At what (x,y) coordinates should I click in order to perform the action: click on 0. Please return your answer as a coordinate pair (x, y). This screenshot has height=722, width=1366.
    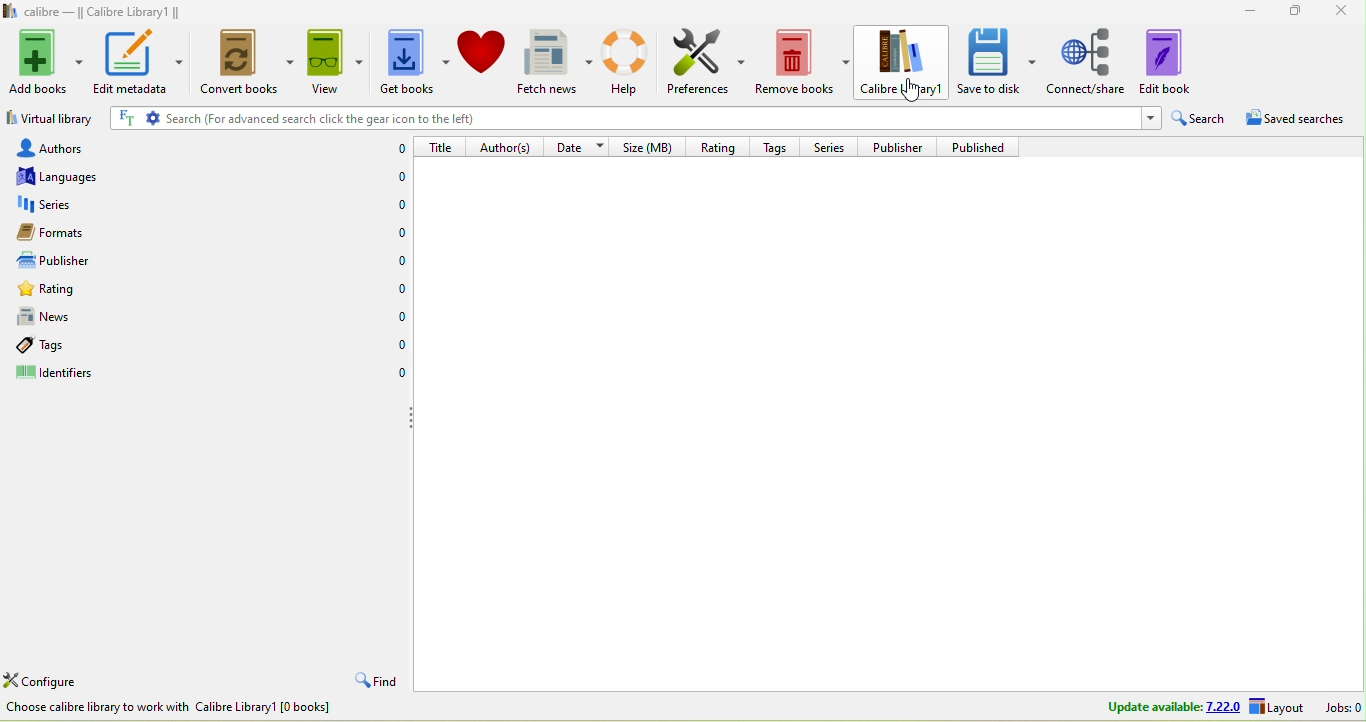
    Looking at the image, I should click on (395, 317).